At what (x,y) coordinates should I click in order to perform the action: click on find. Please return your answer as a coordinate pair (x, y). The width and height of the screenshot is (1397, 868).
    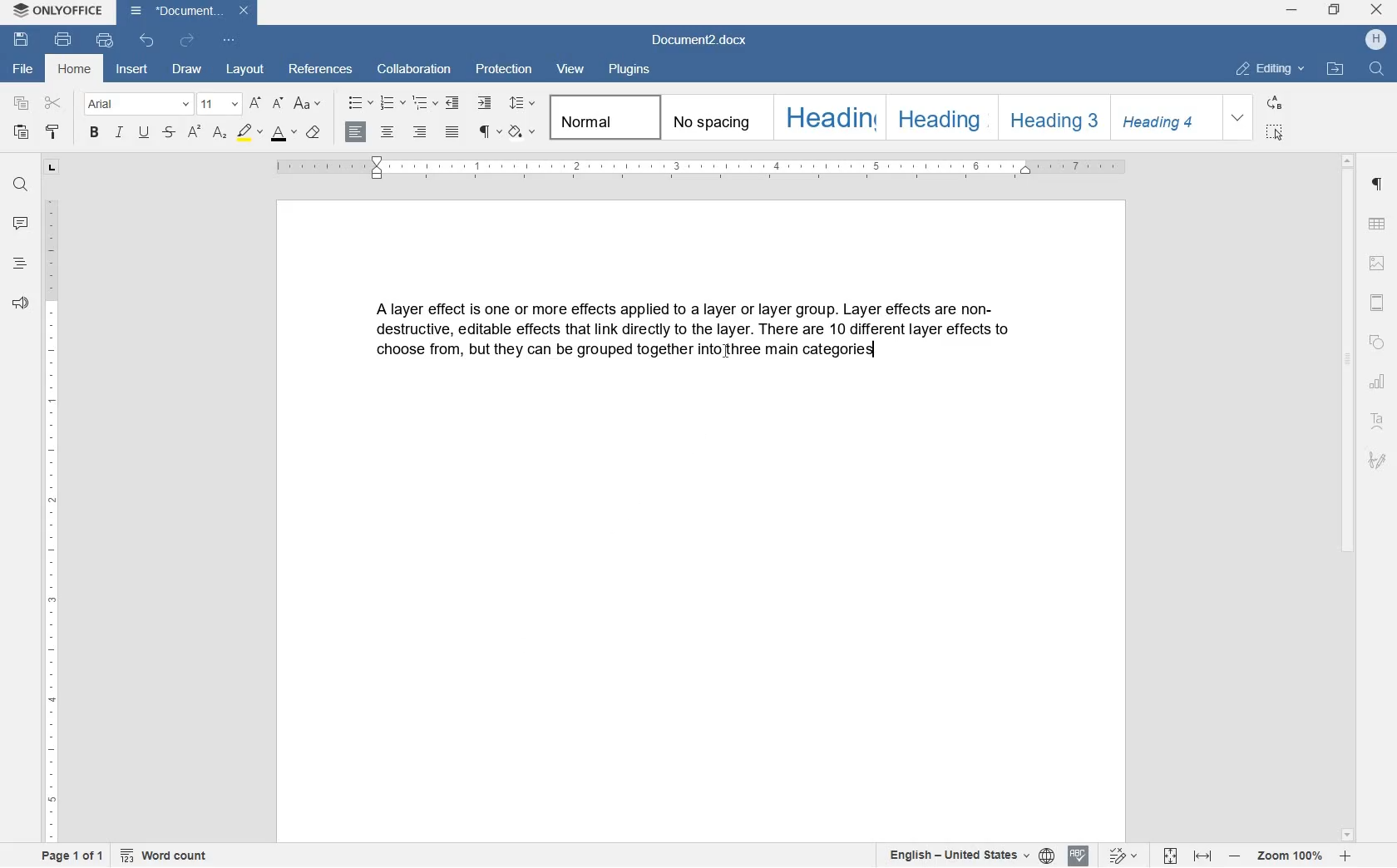
    Looking at the image, I should click on (18, 185).